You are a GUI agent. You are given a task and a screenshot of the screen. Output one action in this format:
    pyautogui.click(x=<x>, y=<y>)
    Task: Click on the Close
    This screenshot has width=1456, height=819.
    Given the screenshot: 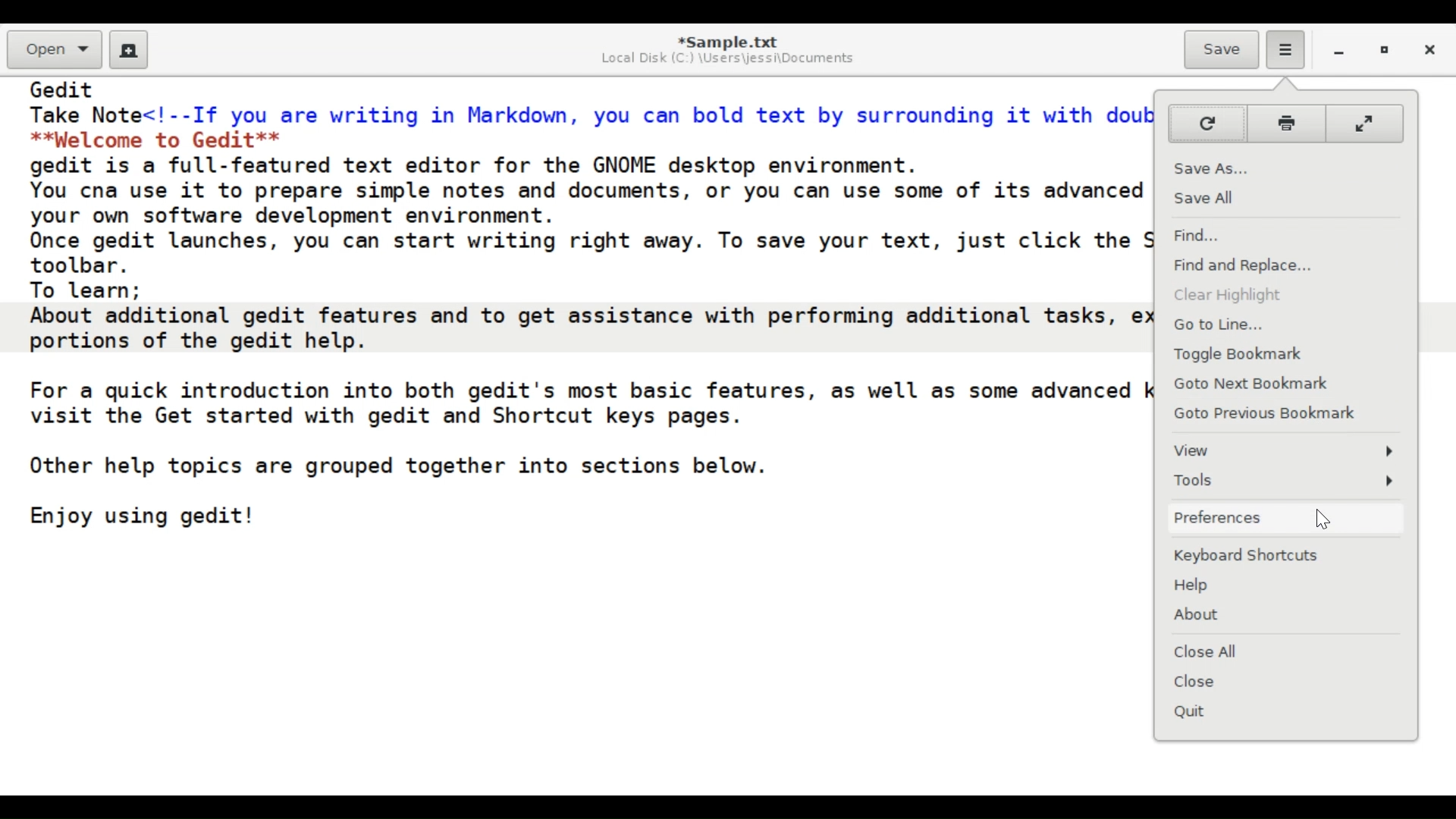 What is the action you would take?
    pyautogui.click(x=1432, y=52)
    